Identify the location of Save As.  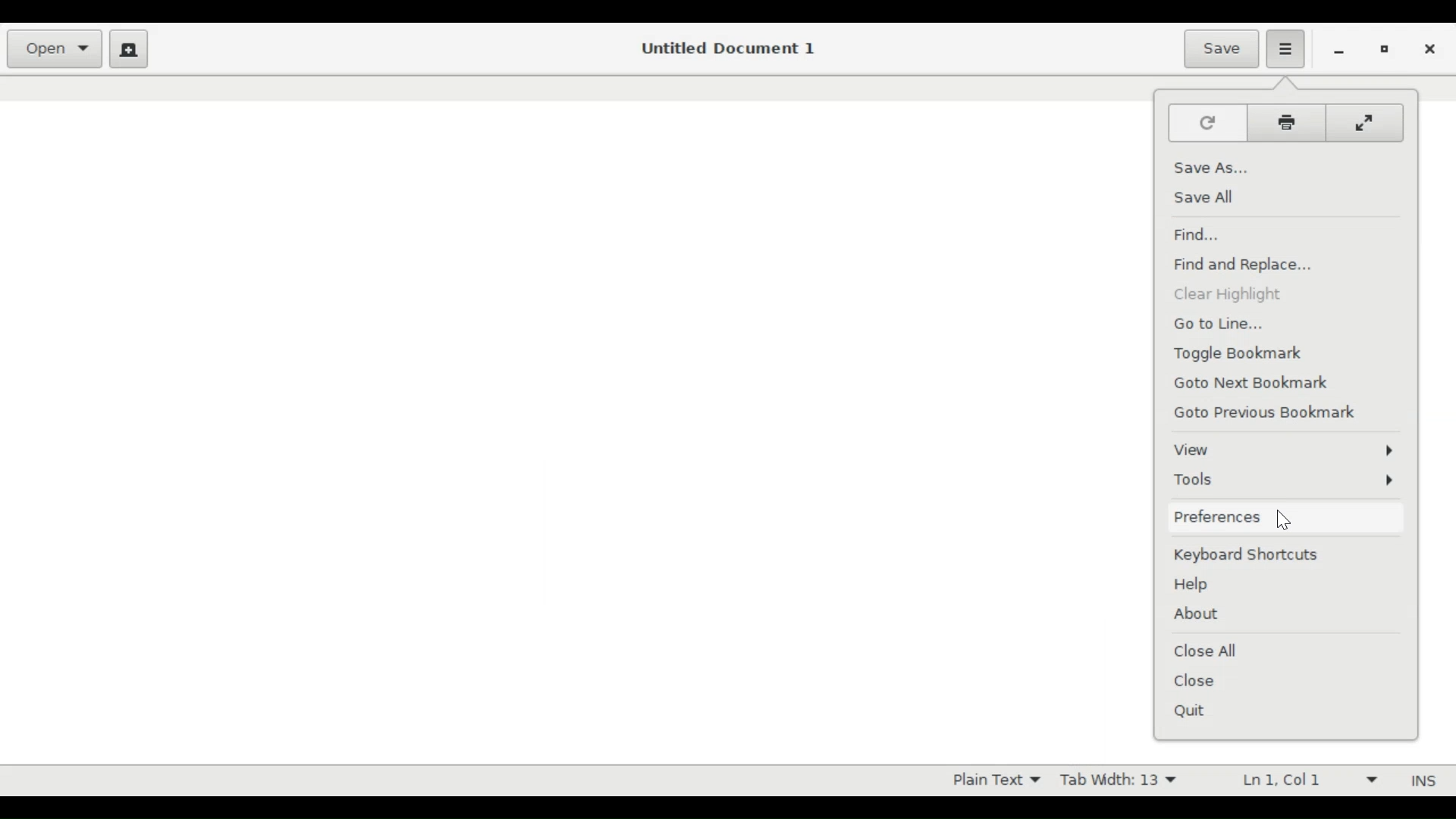
(1212, 168).